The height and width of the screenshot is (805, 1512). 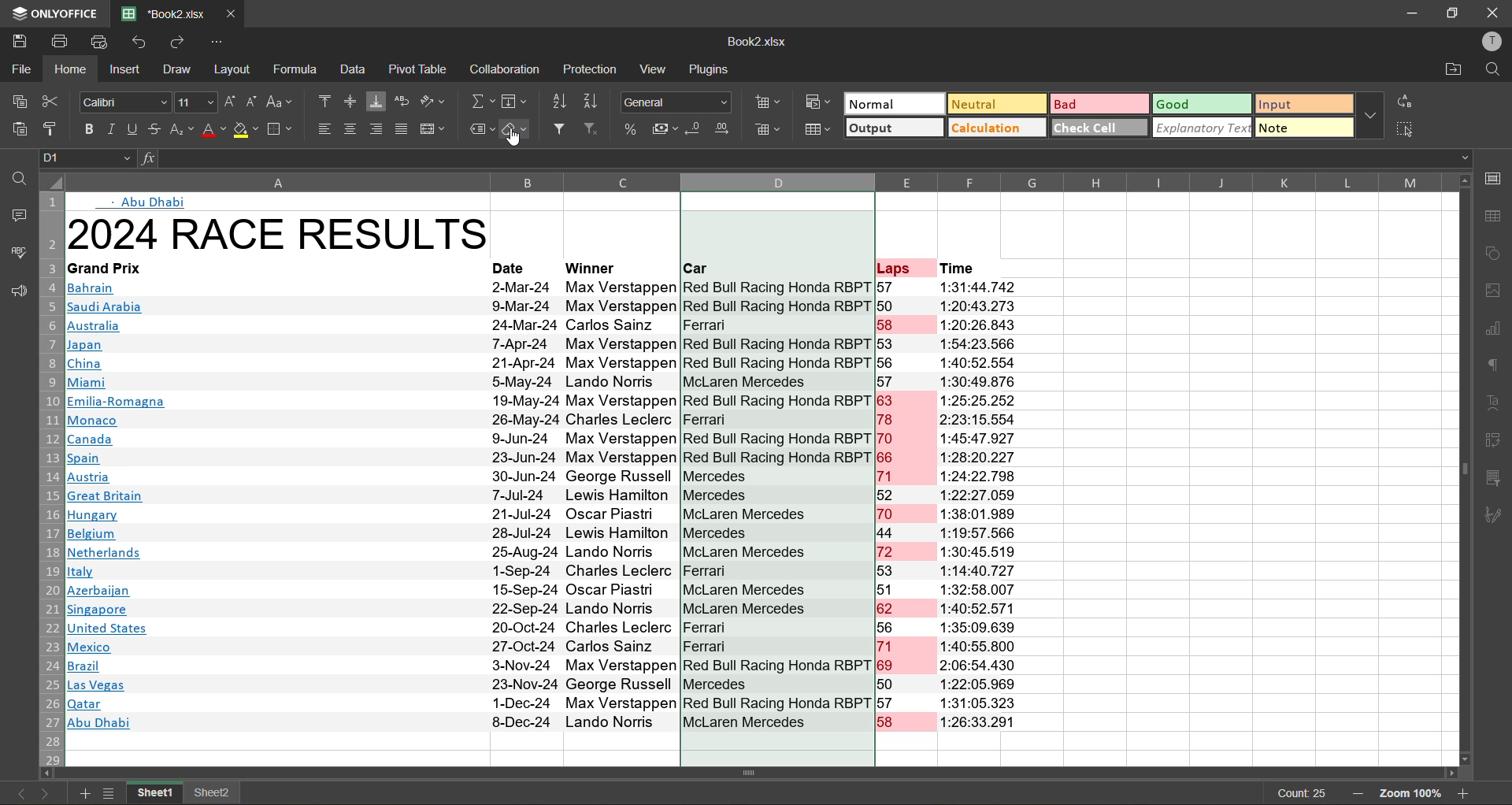 I want to click on MB Monaco 26-May-24 Charles Leclerc Ferrari 78 2:23:15.554, so click(x=552, y=421).